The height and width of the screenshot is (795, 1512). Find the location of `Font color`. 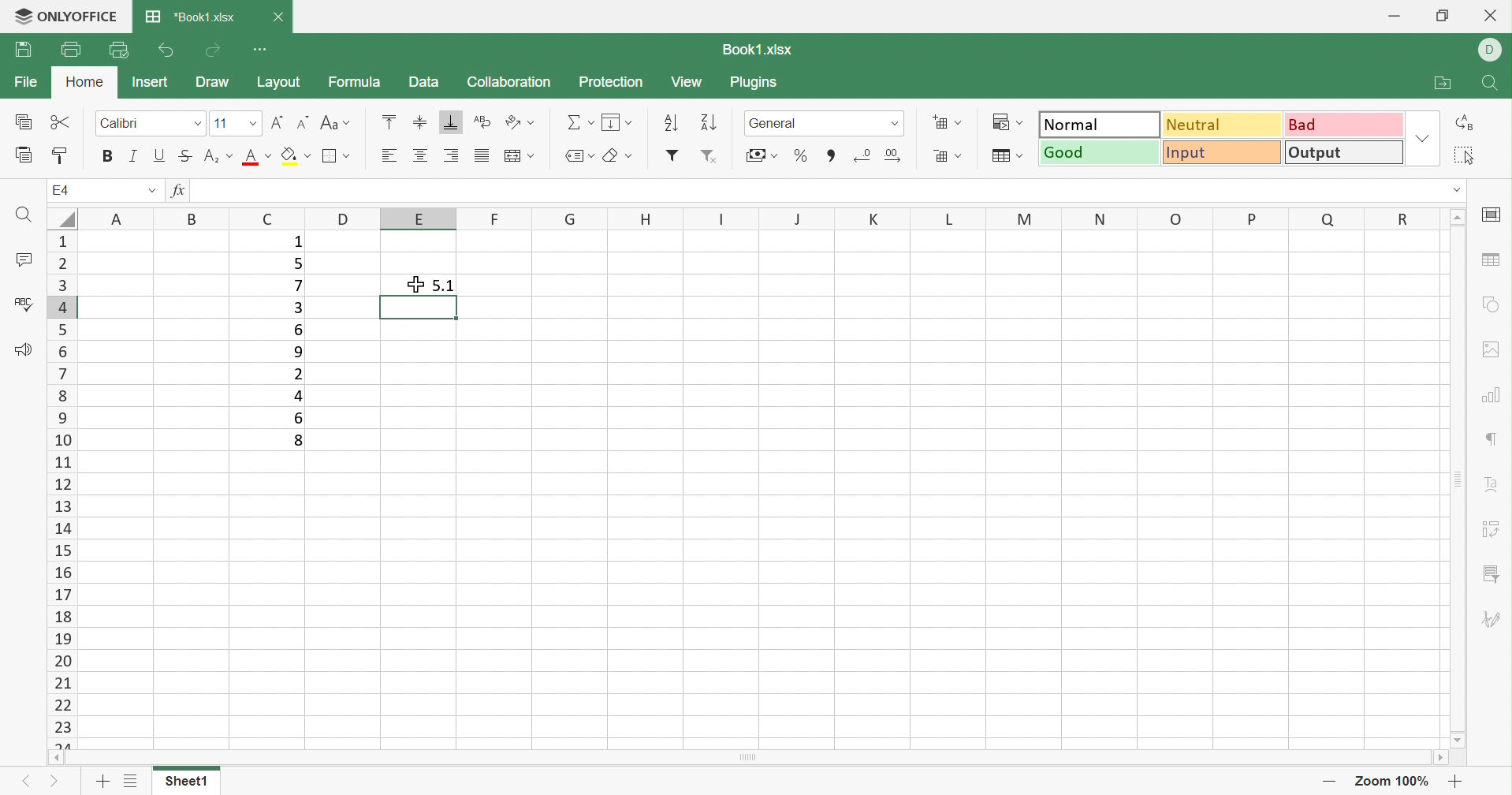

Font color is located at coordinates (259, 155).